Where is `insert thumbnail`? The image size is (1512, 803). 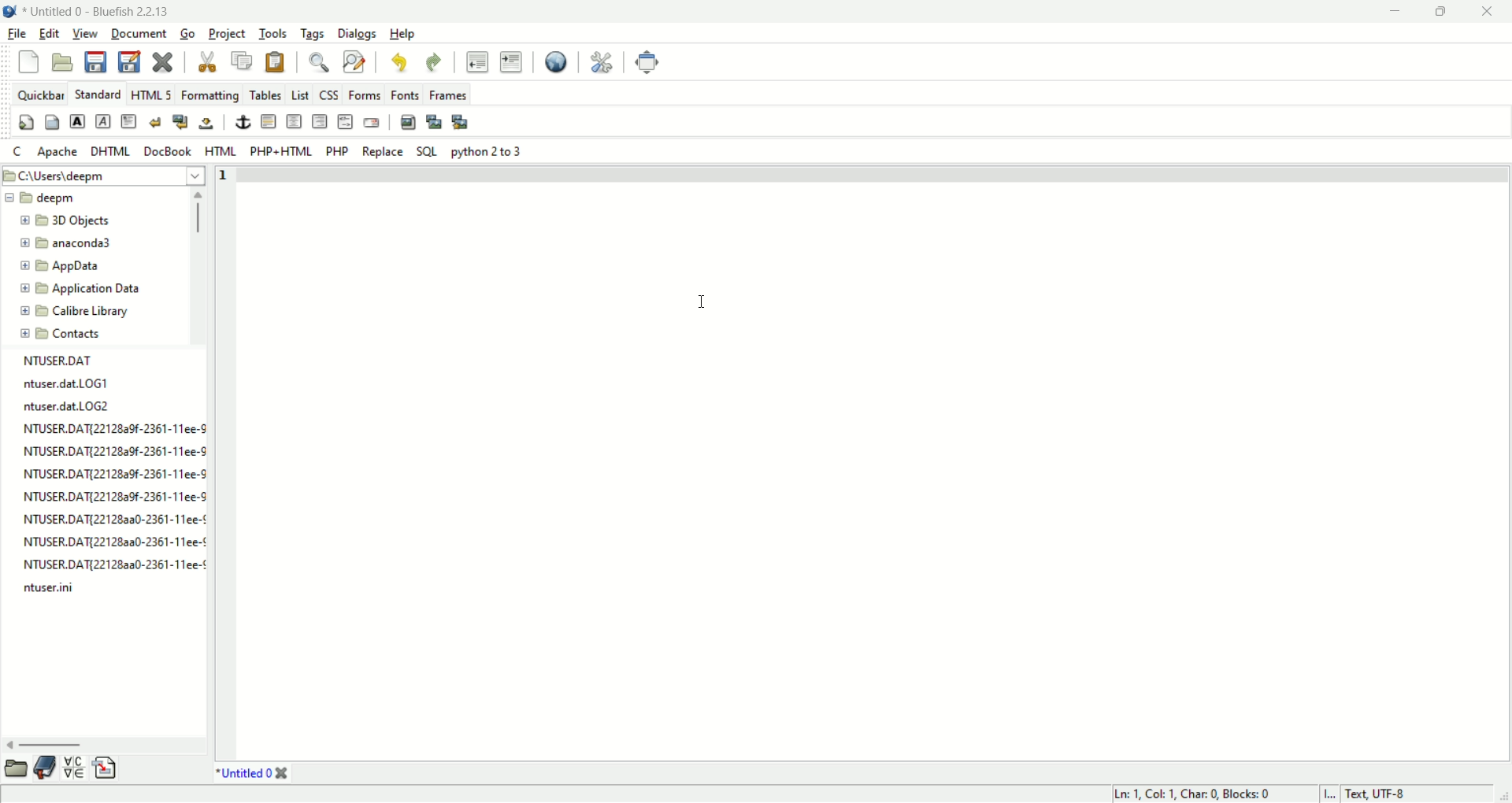
insert thumbnail is located at coordinates (432, 120).